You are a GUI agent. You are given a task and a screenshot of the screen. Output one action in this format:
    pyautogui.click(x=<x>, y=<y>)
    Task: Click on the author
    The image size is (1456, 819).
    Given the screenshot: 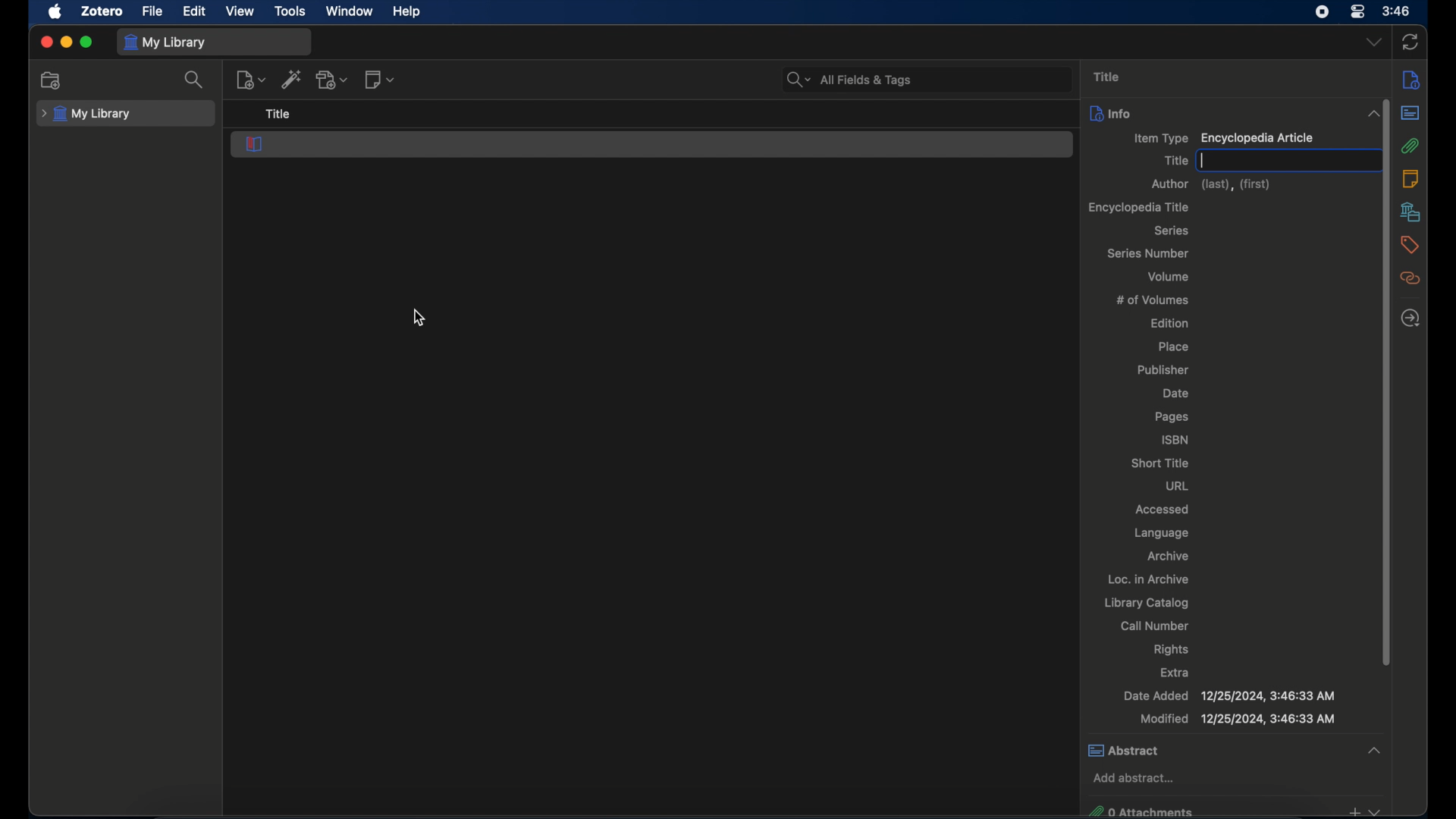 What is the action you would take?
    pyautogui.click(x=1214, y=185)
    